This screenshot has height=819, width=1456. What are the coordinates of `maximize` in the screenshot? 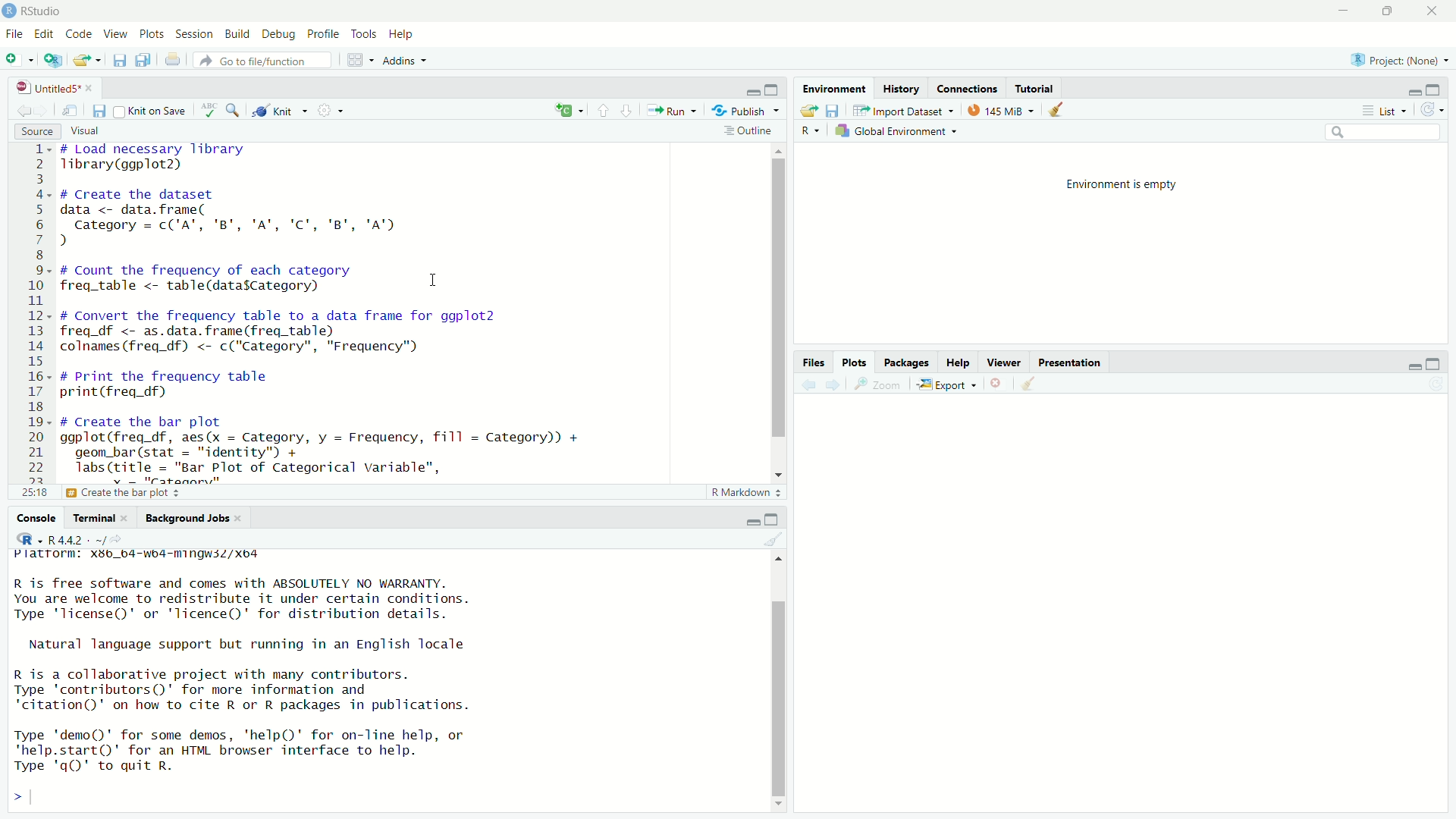 It's located at (1435, 90).